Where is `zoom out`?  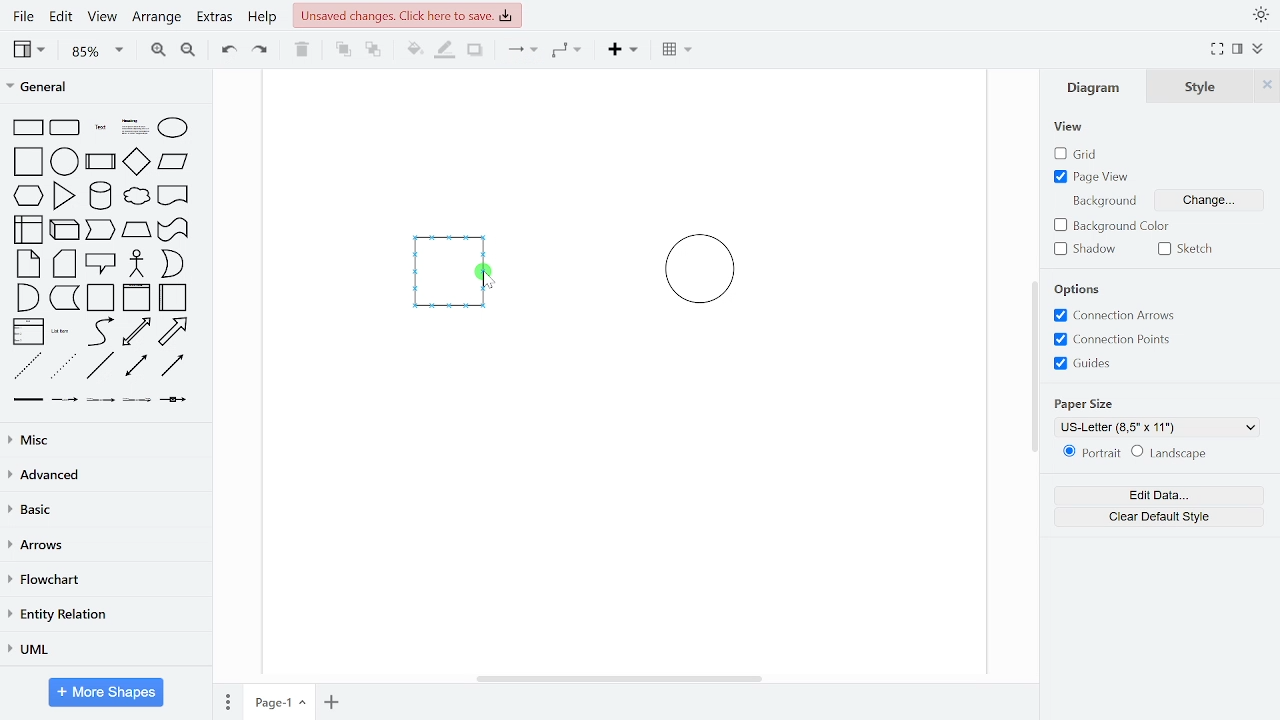
zoom out is located at coordinates (187, 49).